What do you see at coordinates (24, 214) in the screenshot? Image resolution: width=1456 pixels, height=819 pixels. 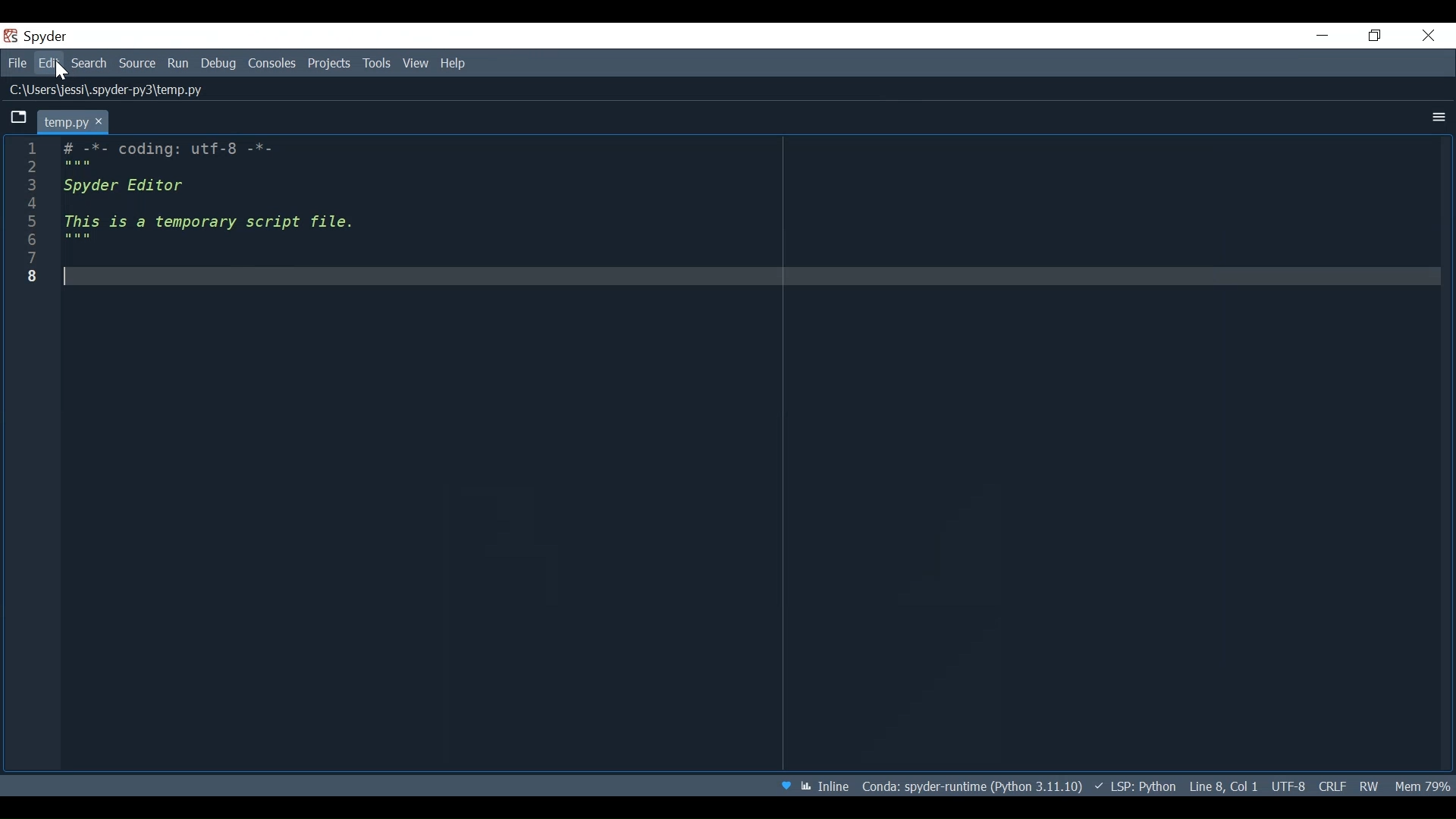 I see `line numbers` at bounding box center [24, 214].